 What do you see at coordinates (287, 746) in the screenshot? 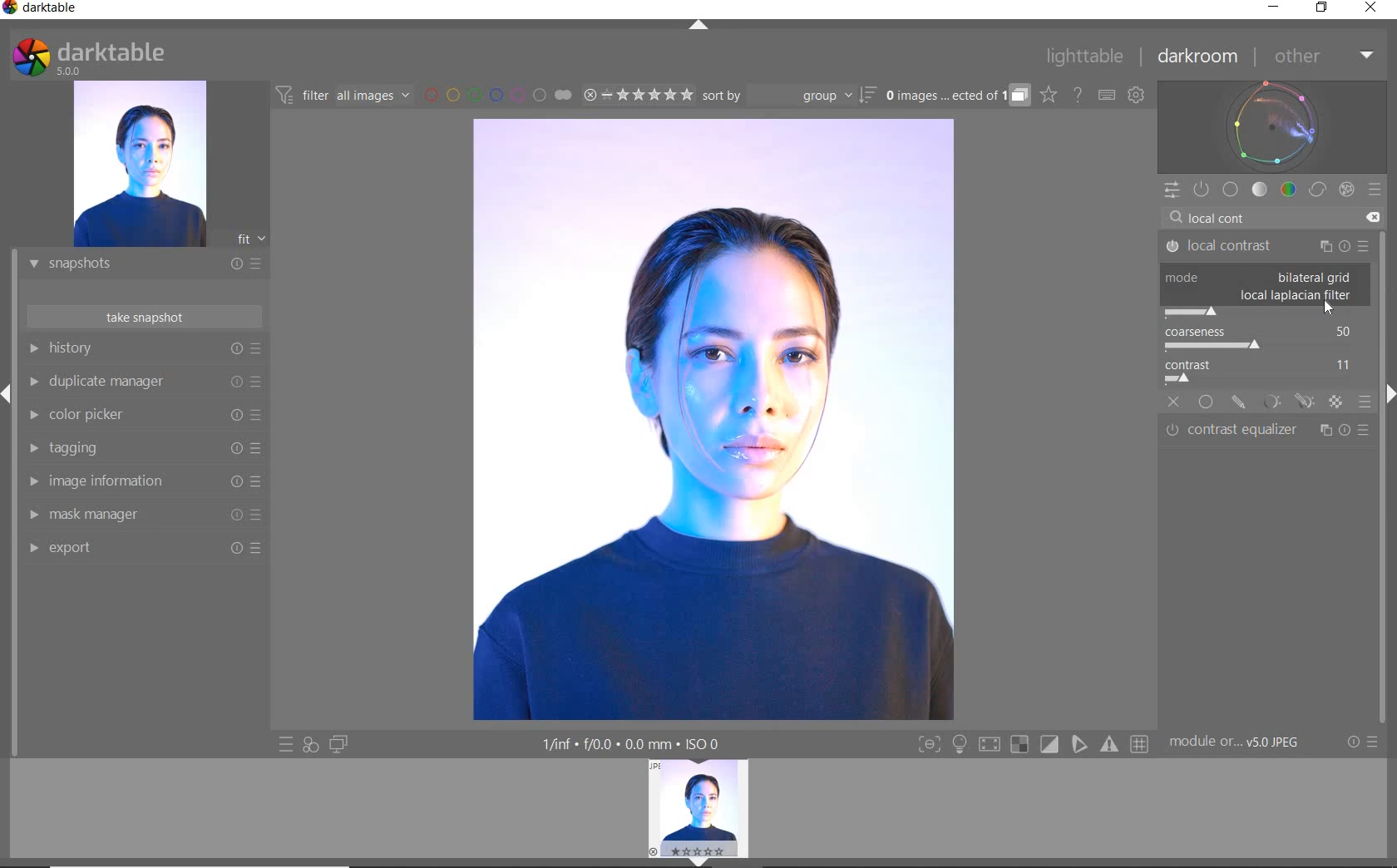
I see `QUICK ACCESS TO PRESET` at bounding box center [287, 746].